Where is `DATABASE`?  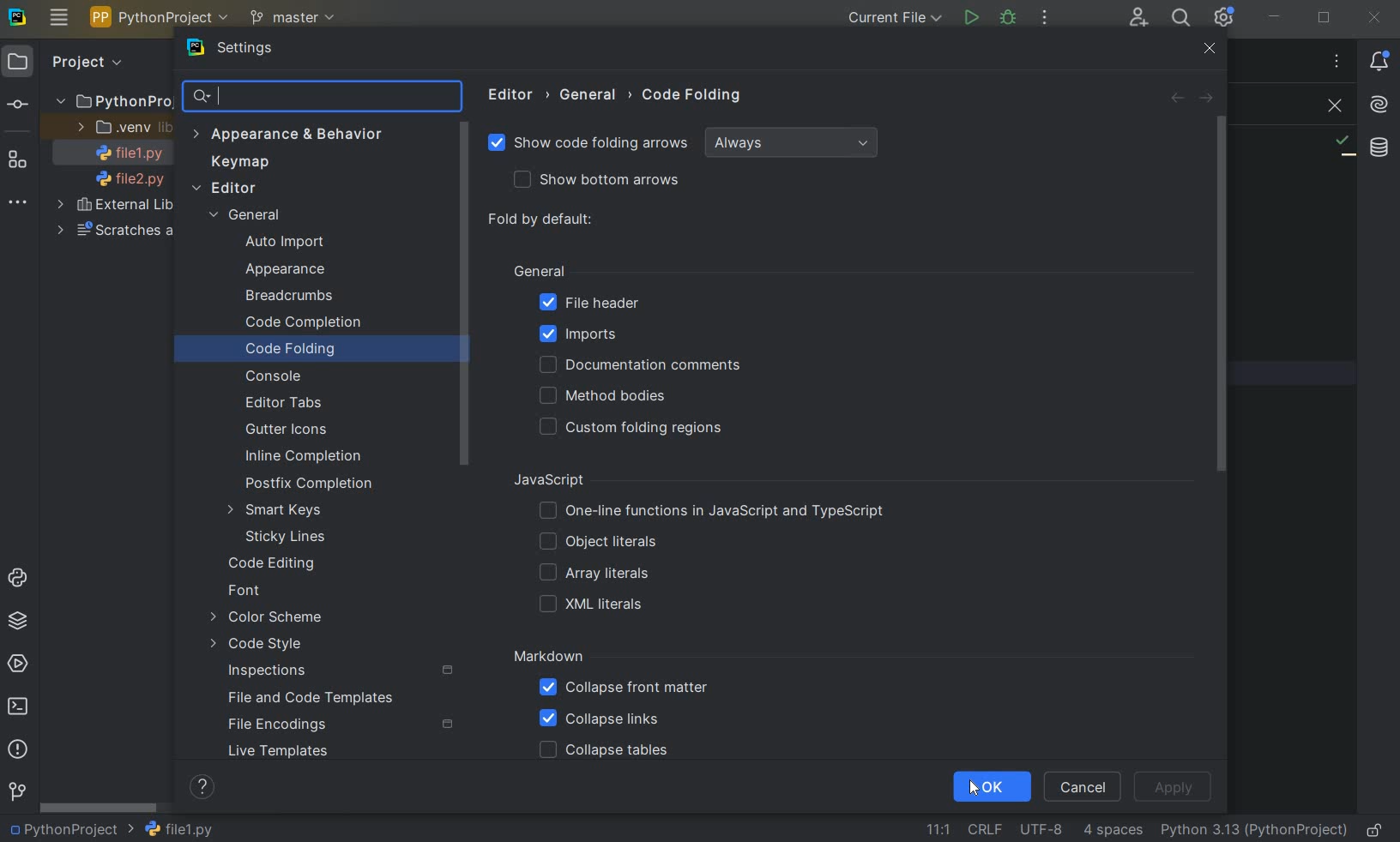
DATABASE is located at coordinates (1379, 147).